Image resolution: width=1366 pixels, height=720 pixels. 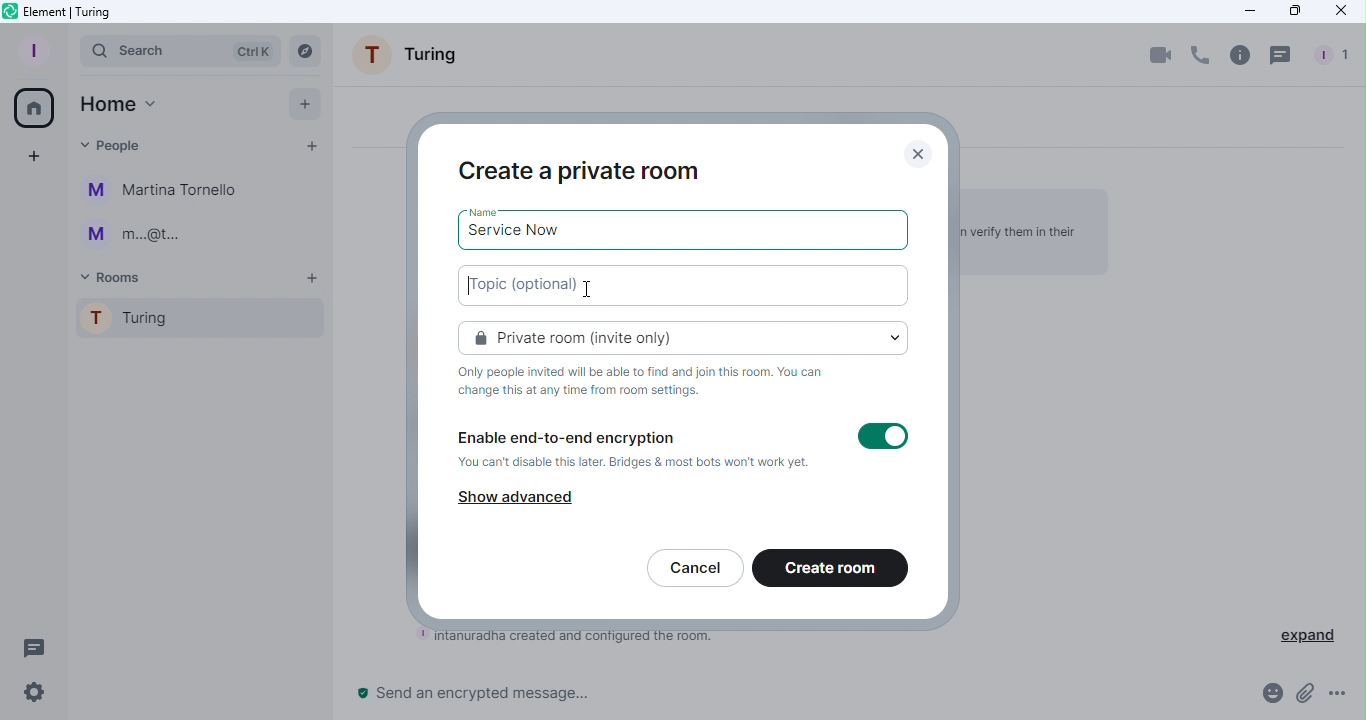 I want to click on Name, so click(x=496, y=210).